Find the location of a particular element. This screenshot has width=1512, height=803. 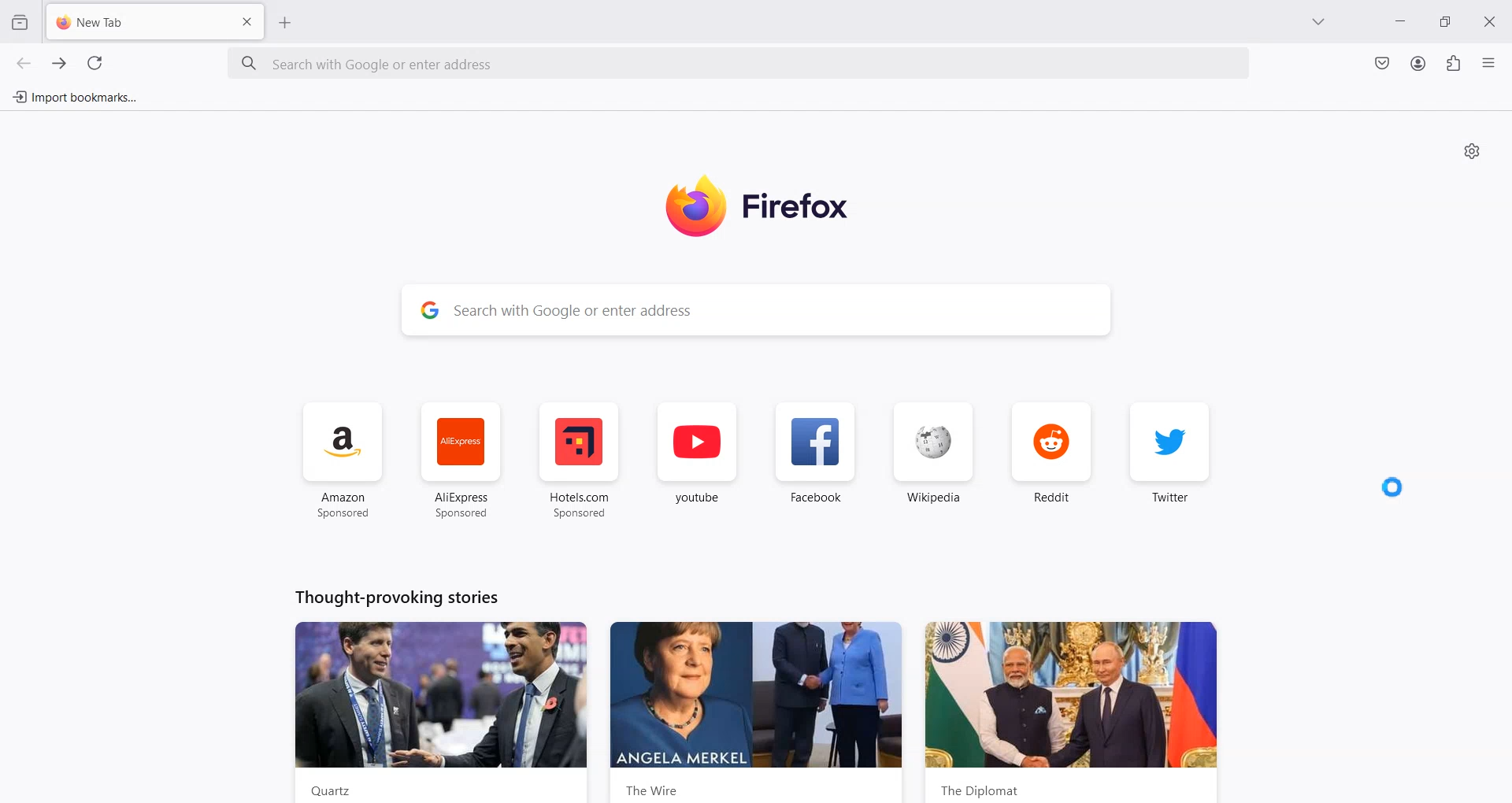

Logo is located at coordinates (760, 209).